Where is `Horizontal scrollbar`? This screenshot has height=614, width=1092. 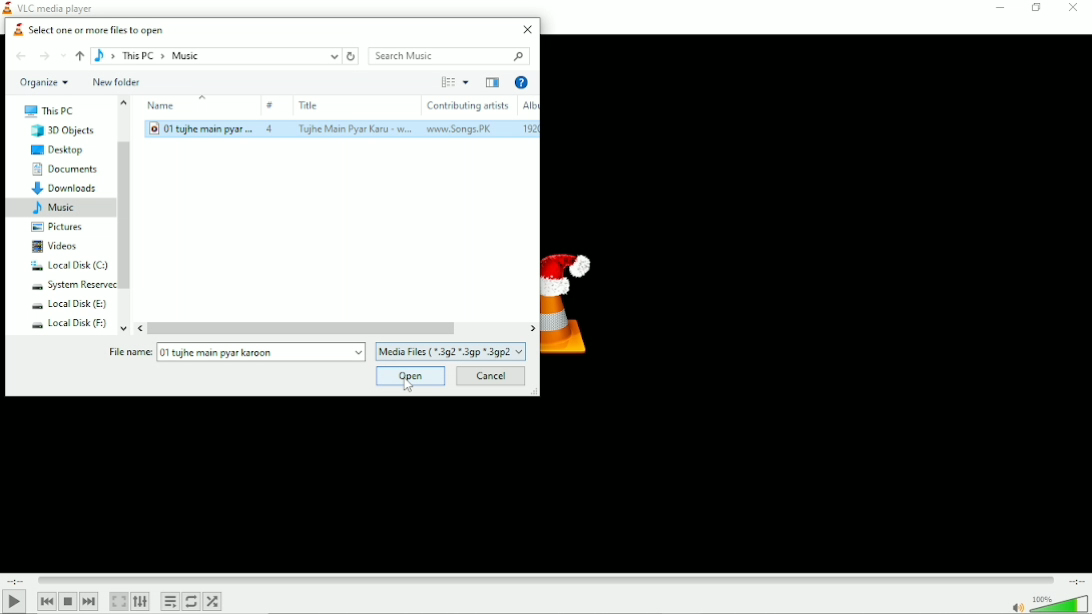 Horizontal scrollbar is located at coordinates (306, 326).